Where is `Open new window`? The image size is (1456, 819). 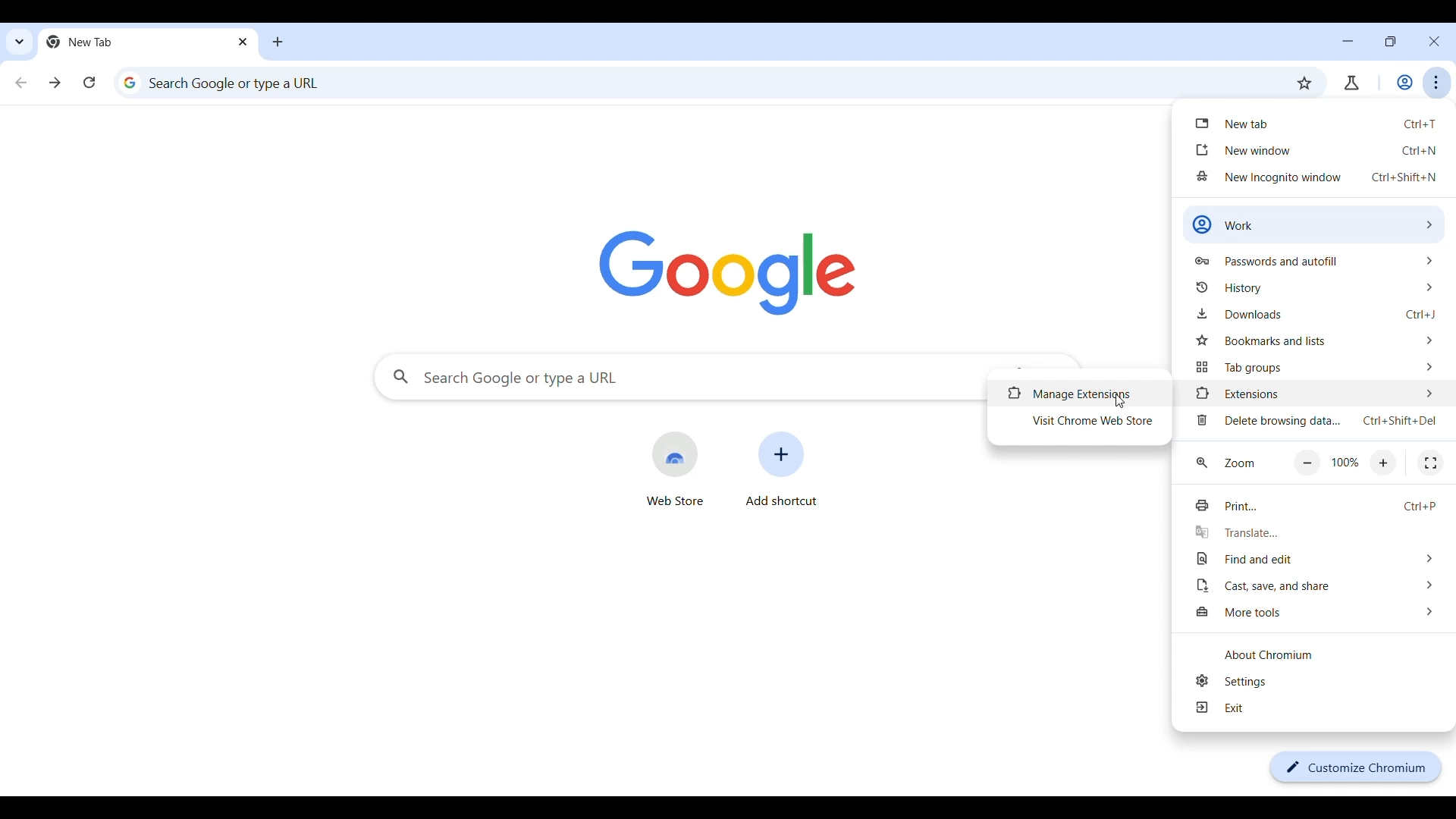 Open new window is located at coordinates (1314, 149).